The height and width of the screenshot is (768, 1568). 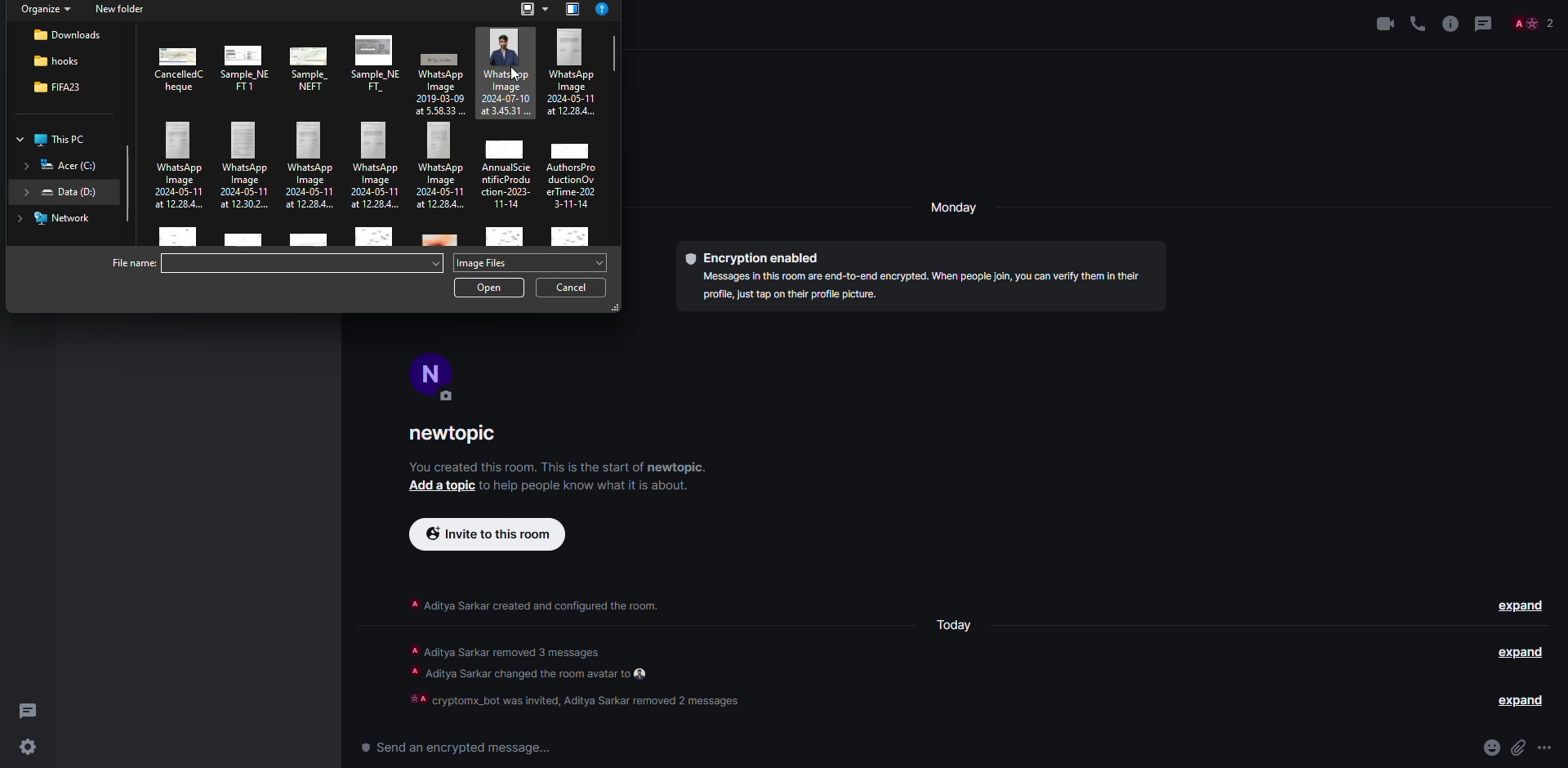 I want to click on click to select, so click(x=571, y=234).